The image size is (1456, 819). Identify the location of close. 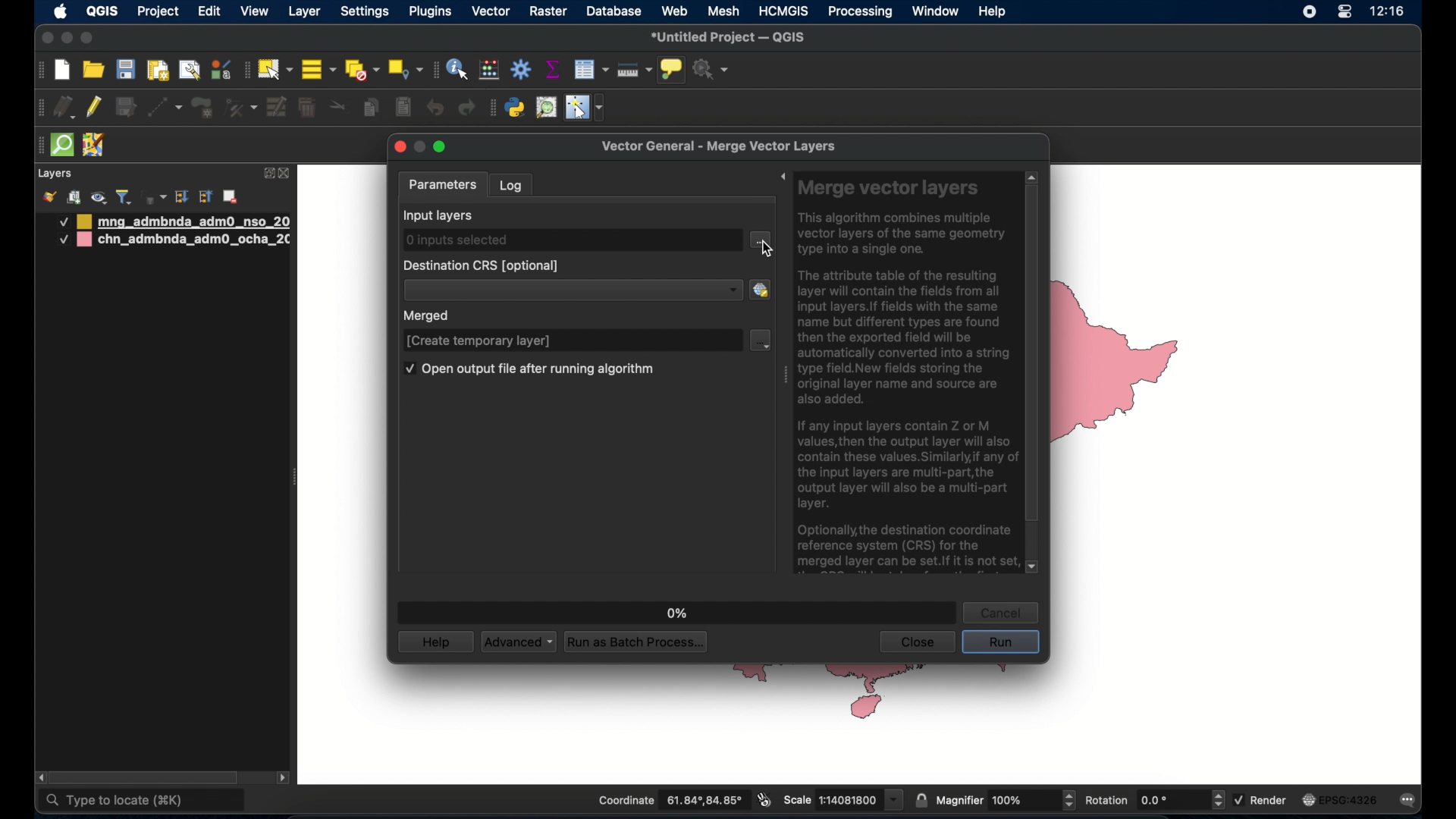
(286, 174).